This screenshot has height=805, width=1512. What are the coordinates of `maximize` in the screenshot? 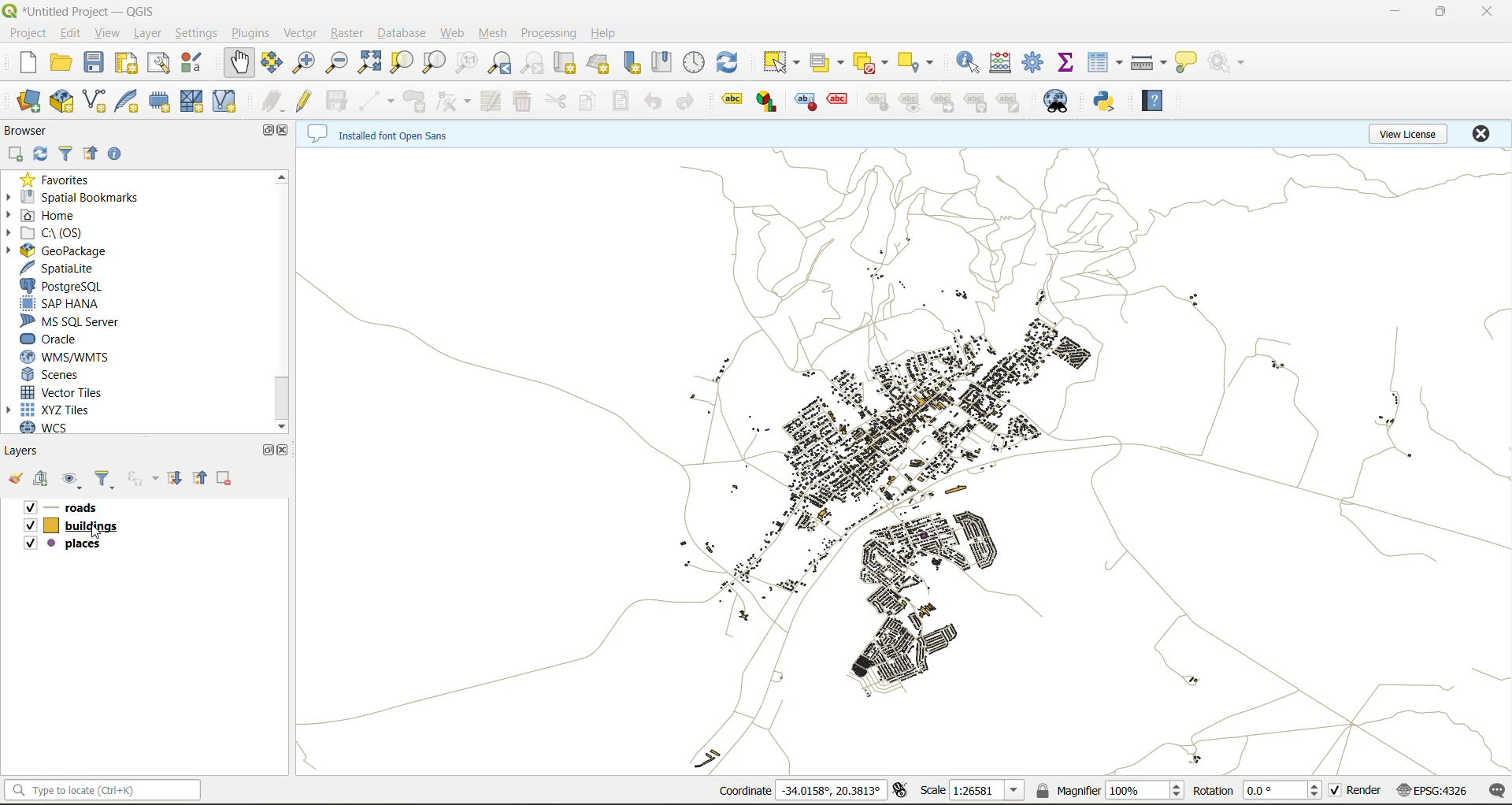 It's located at (274, 132).